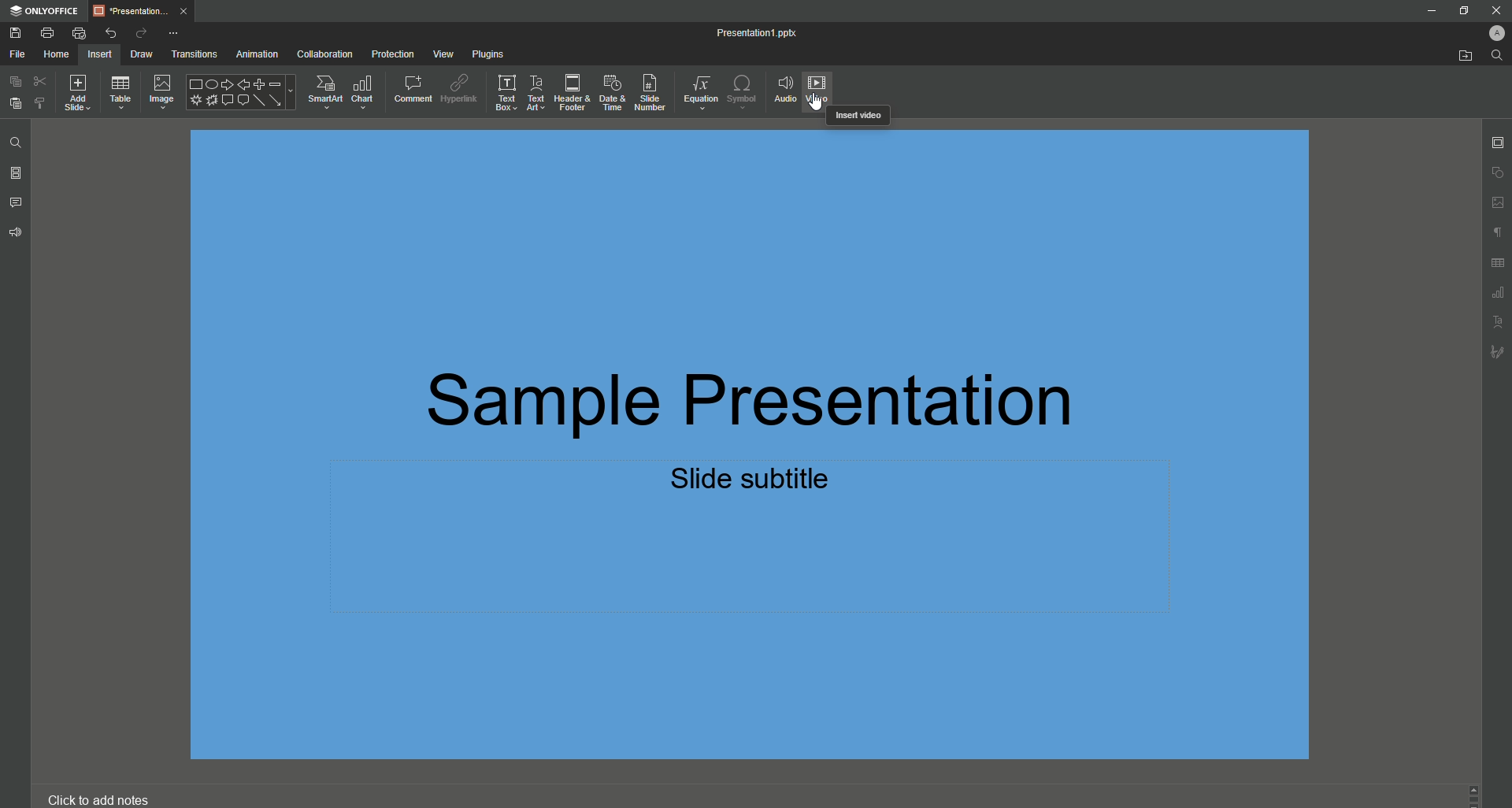 Image resolution: width=1512 pixels, height=808 pixels. I want to click on Cut, so click(40, 80).